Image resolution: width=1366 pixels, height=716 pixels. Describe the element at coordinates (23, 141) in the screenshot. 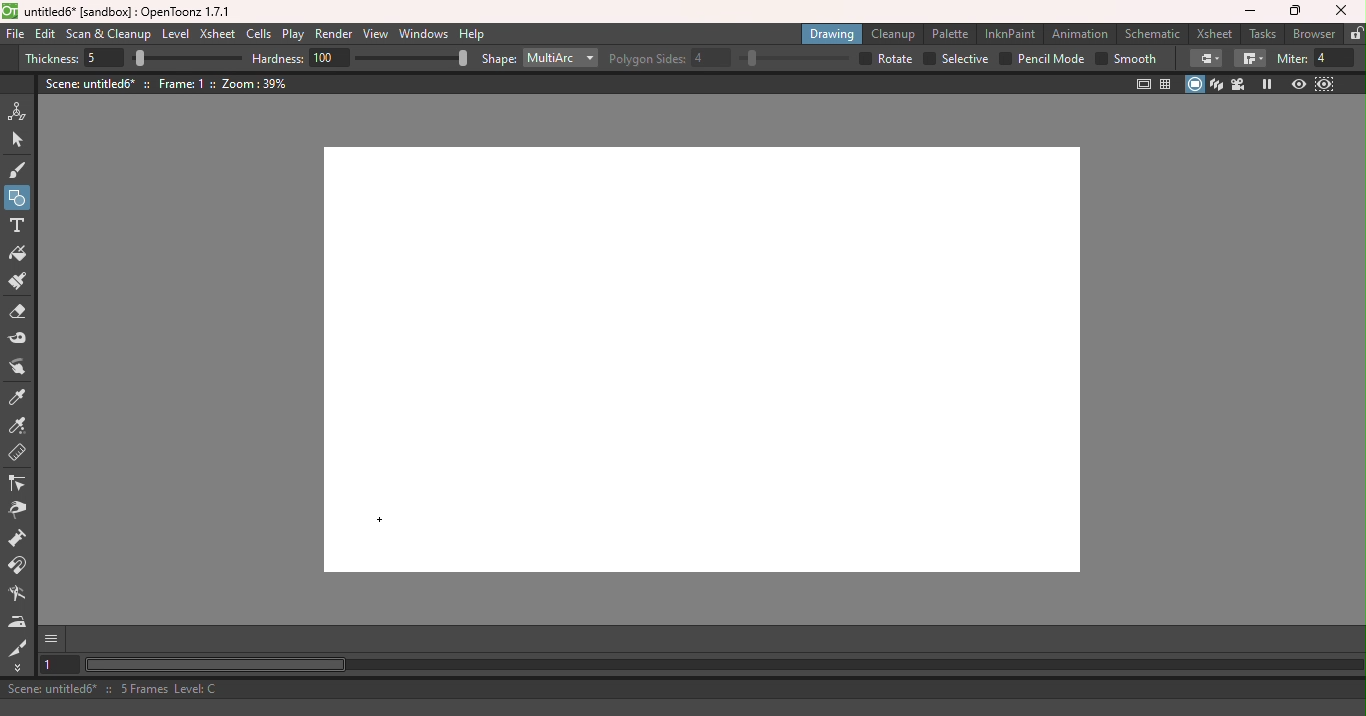

I see `Selection tool` at that location.